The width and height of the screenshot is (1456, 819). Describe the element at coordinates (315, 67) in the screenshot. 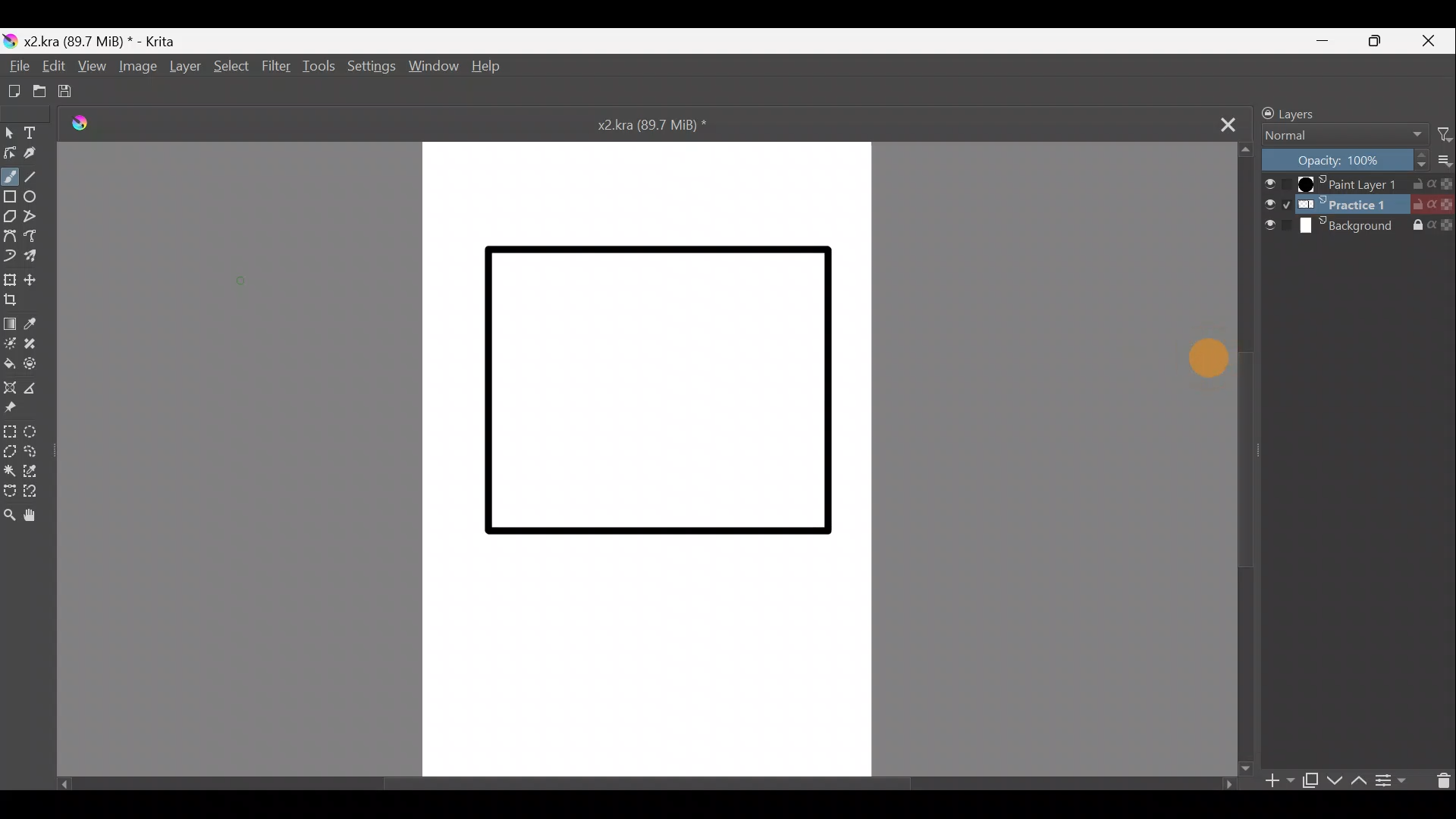

I see `Tools` at that location.